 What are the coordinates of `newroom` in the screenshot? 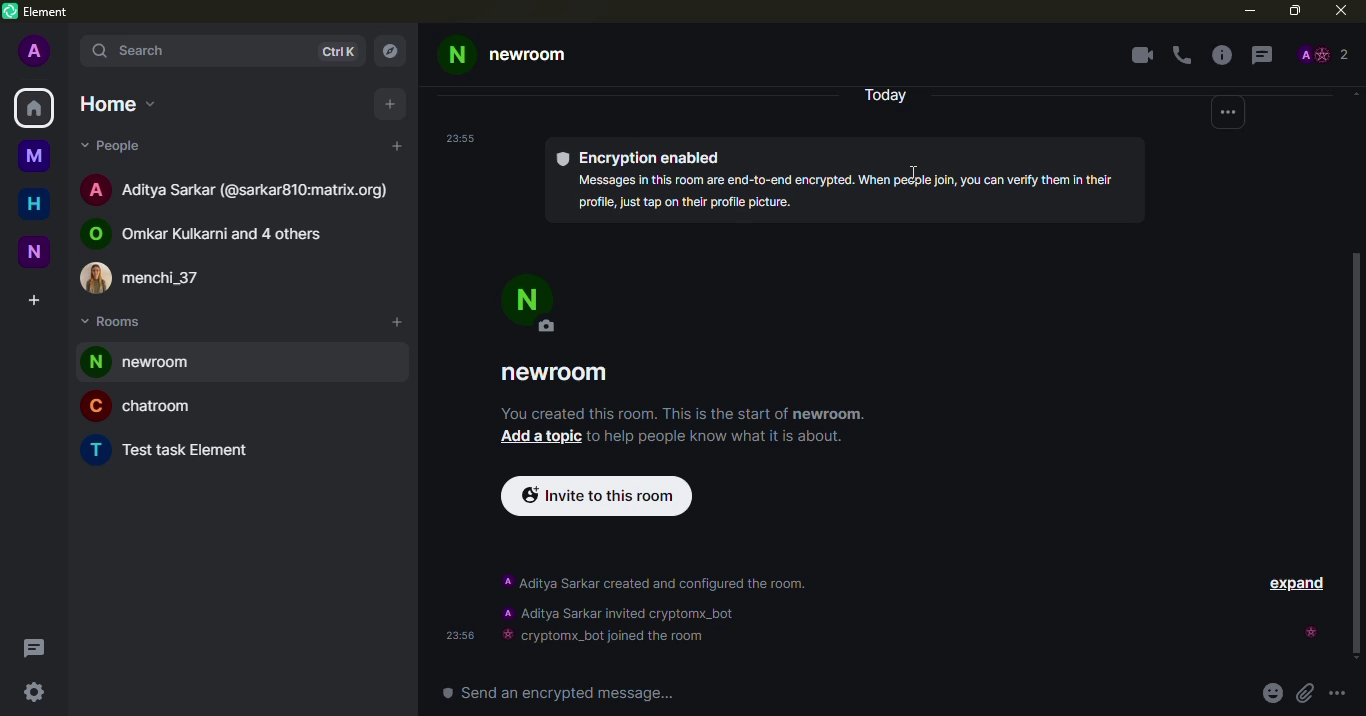 It's located at (558, 372).